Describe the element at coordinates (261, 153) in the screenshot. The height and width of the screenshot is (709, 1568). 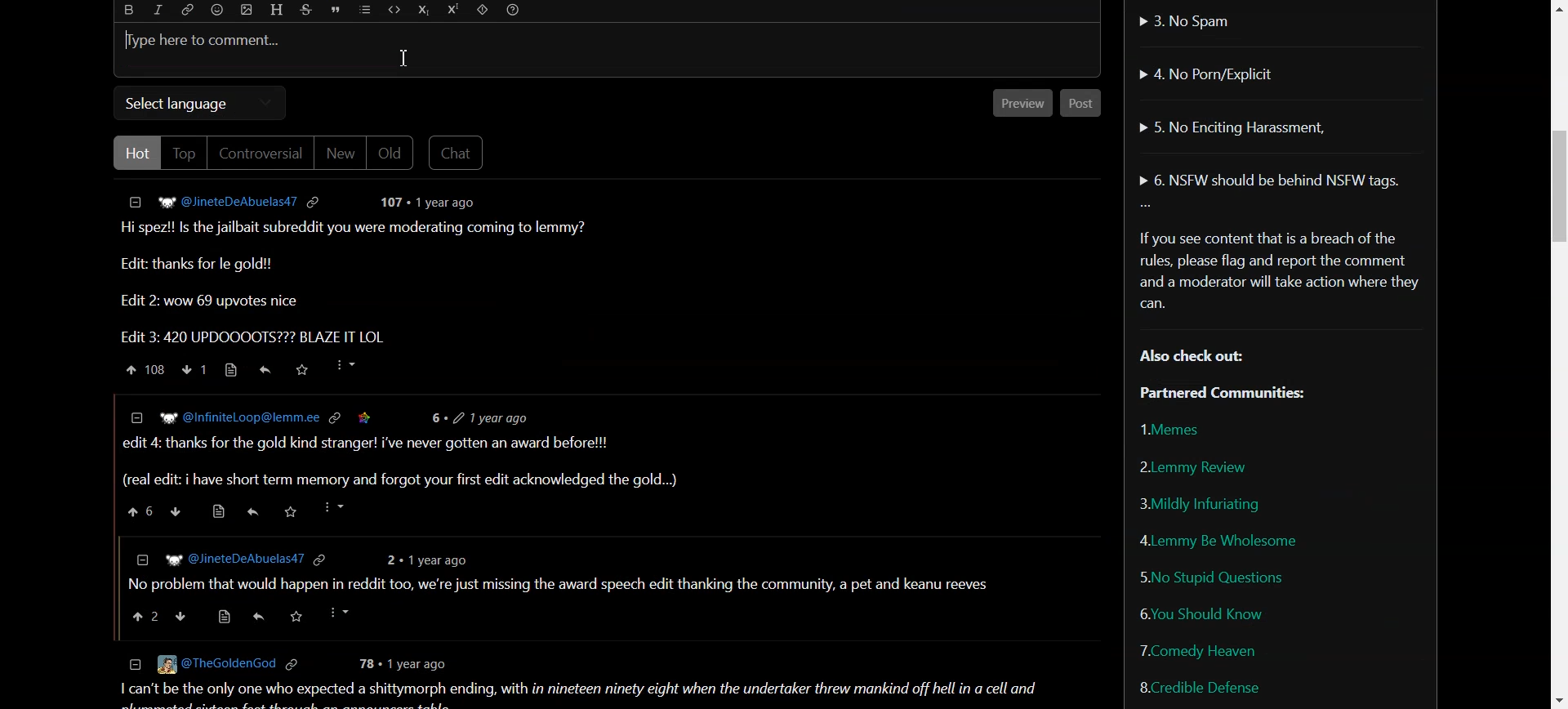
I see `Controversial` at that location.